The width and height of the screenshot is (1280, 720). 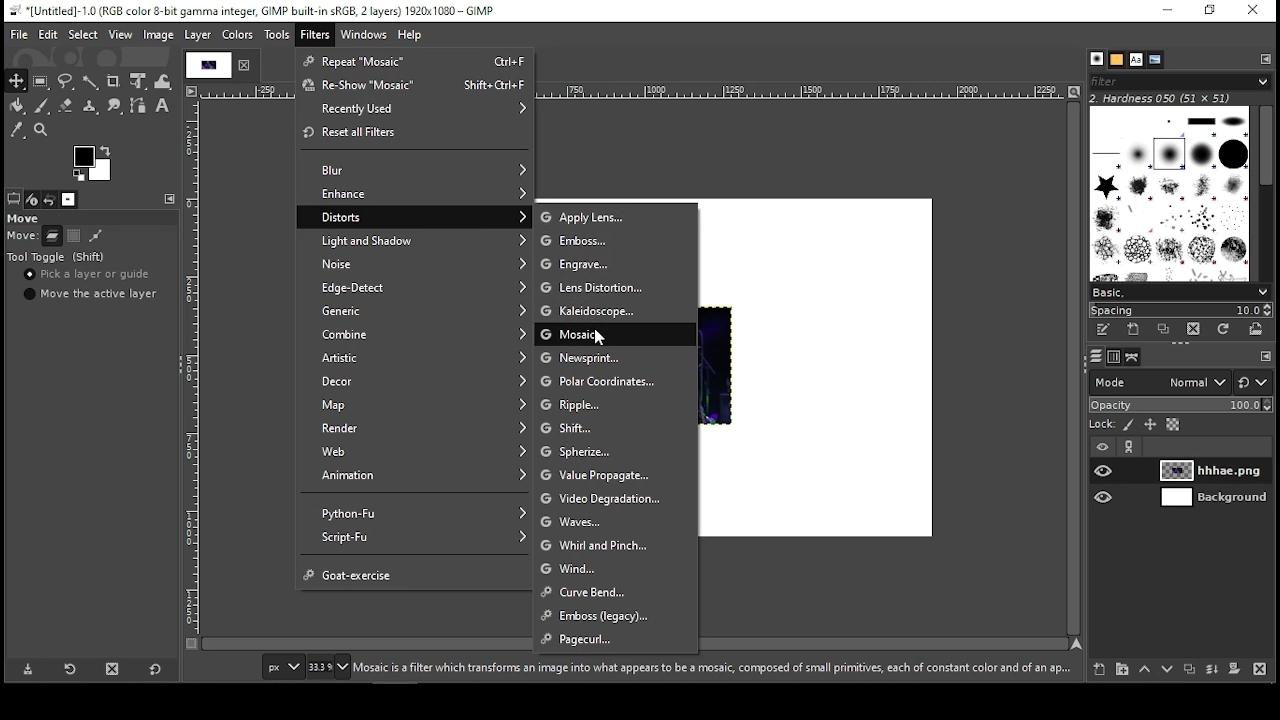 I want to click on edge detect, so click(x=412, y=287).